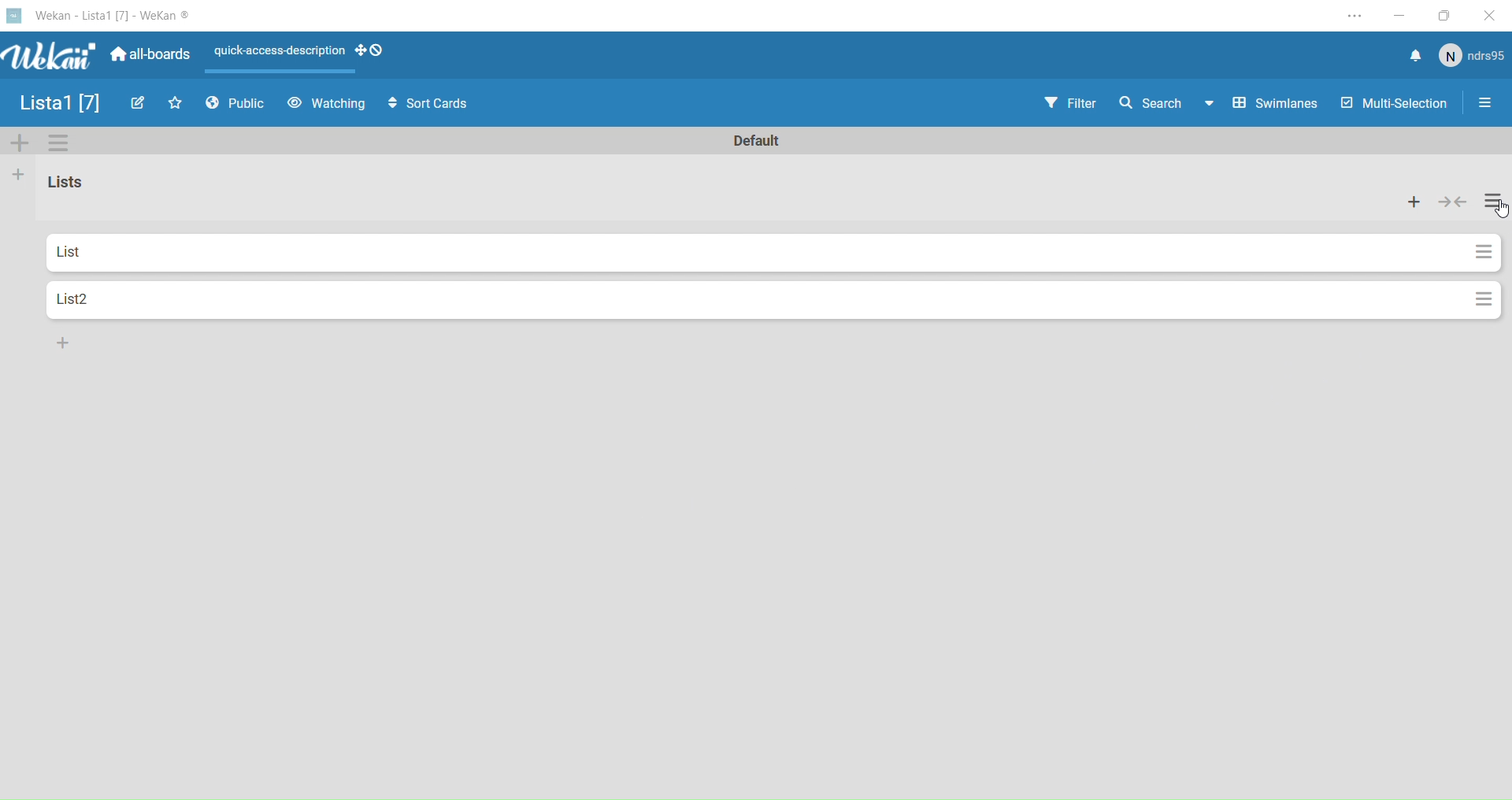 This screenshot has width=1512, height=800. I want to click on Add, so click(18, 179).